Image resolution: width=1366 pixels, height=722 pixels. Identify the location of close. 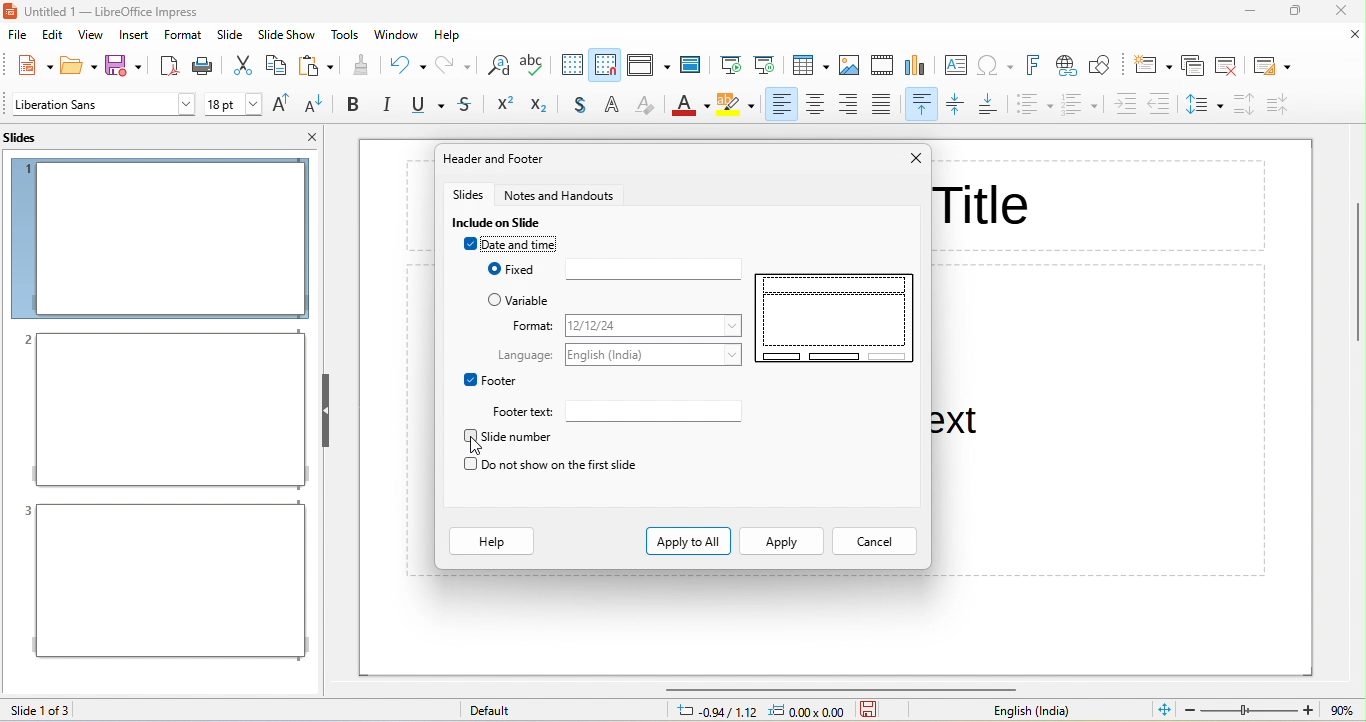
(1340, 12).